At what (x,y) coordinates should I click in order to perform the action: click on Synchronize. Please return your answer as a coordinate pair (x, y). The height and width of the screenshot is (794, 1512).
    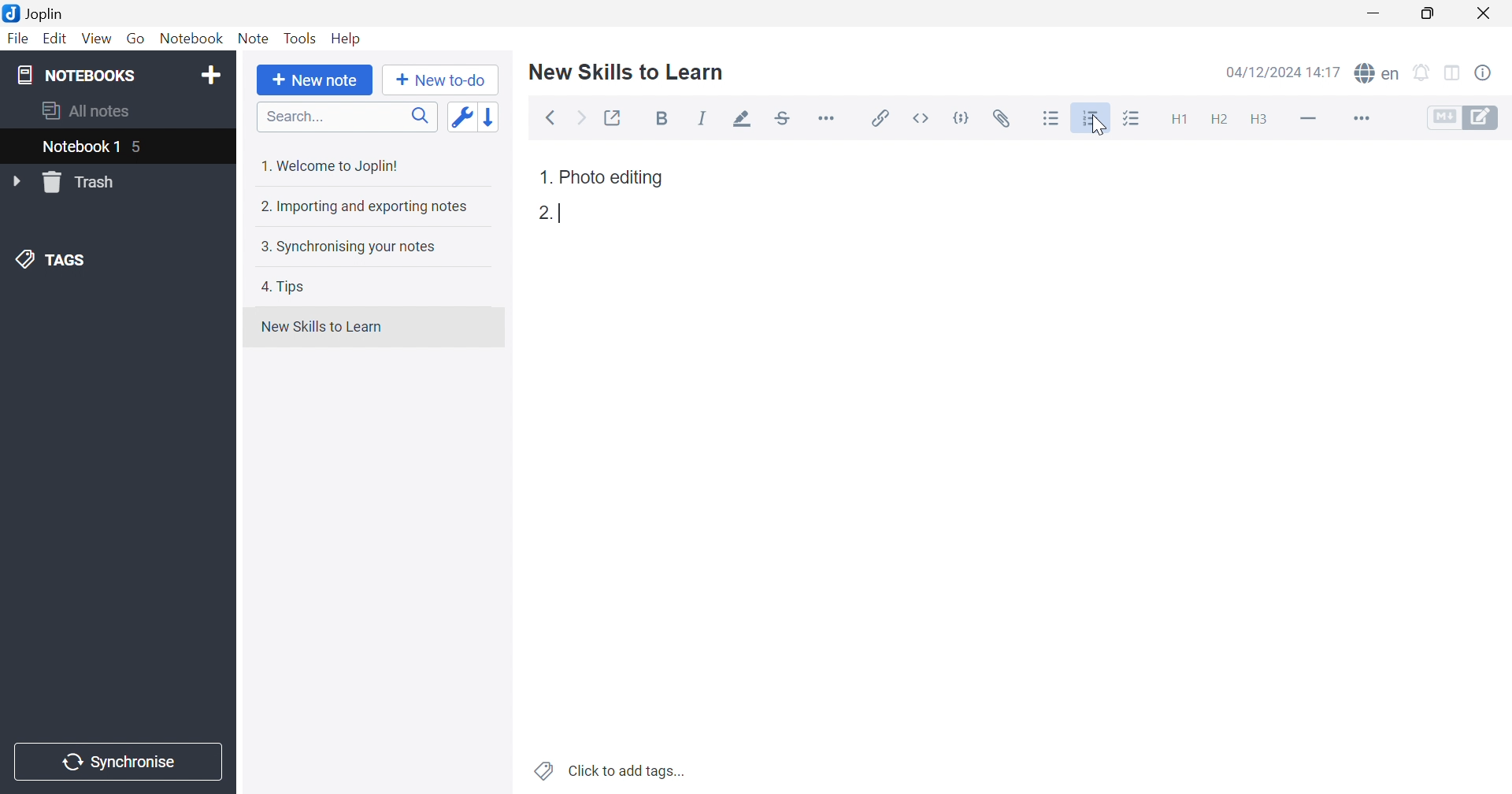
    Looking at the image, I should click on (121, 762).